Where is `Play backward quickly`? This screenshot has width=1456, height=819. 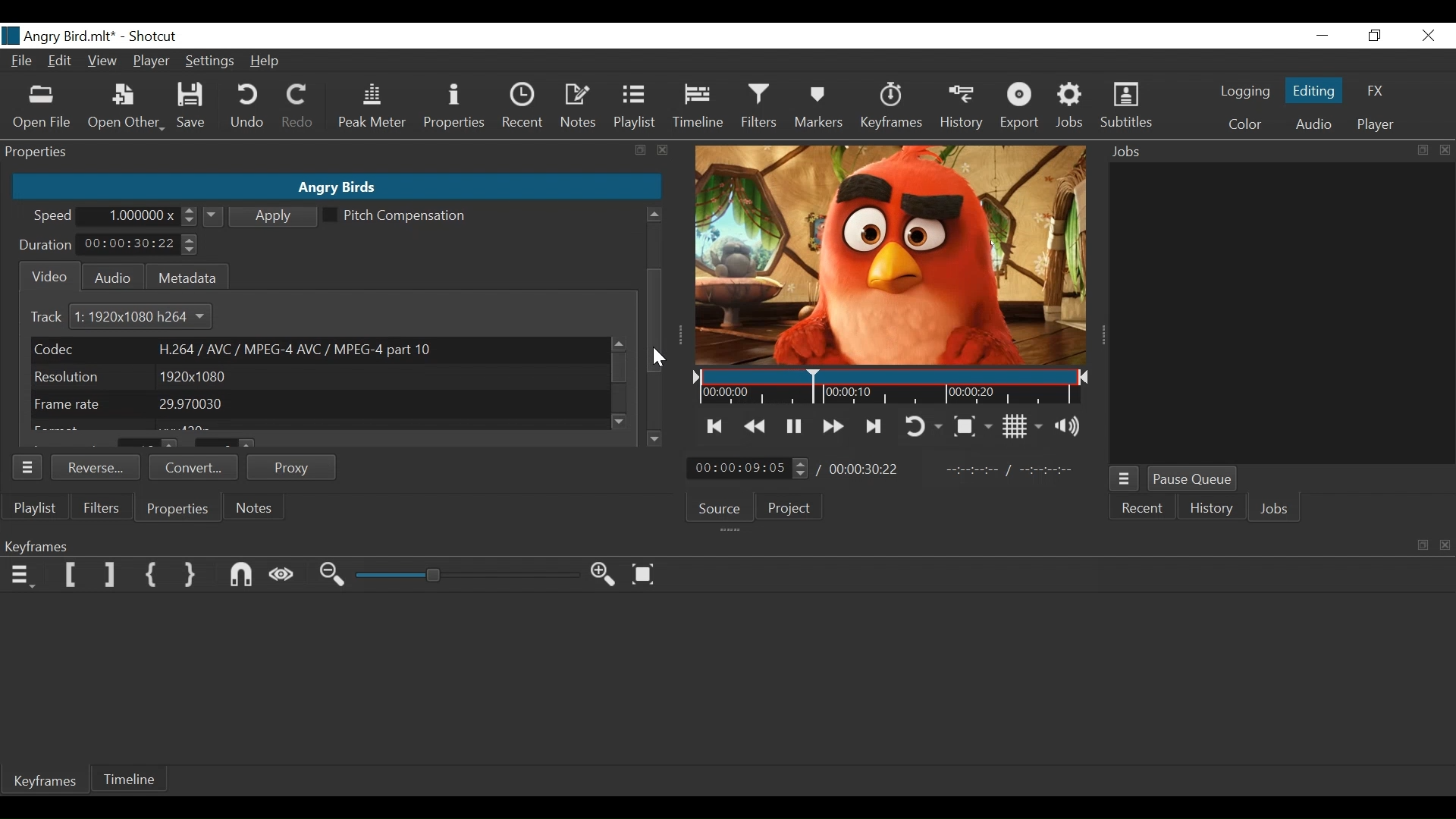 Play backward quickly is located at coordinates (755, 426).